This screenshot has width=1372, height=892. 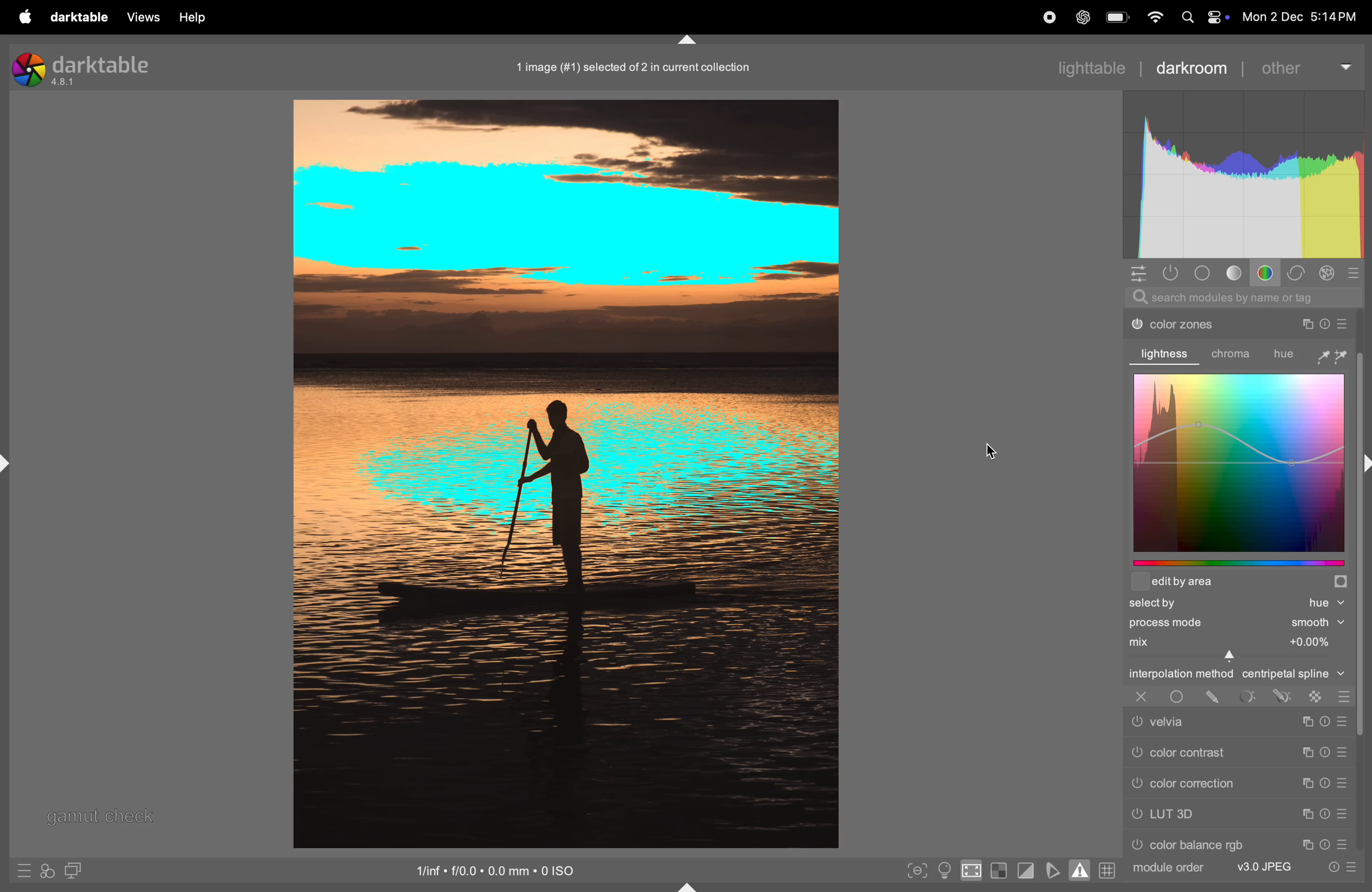 I want to click on control center, so click(x=1219, y=17).